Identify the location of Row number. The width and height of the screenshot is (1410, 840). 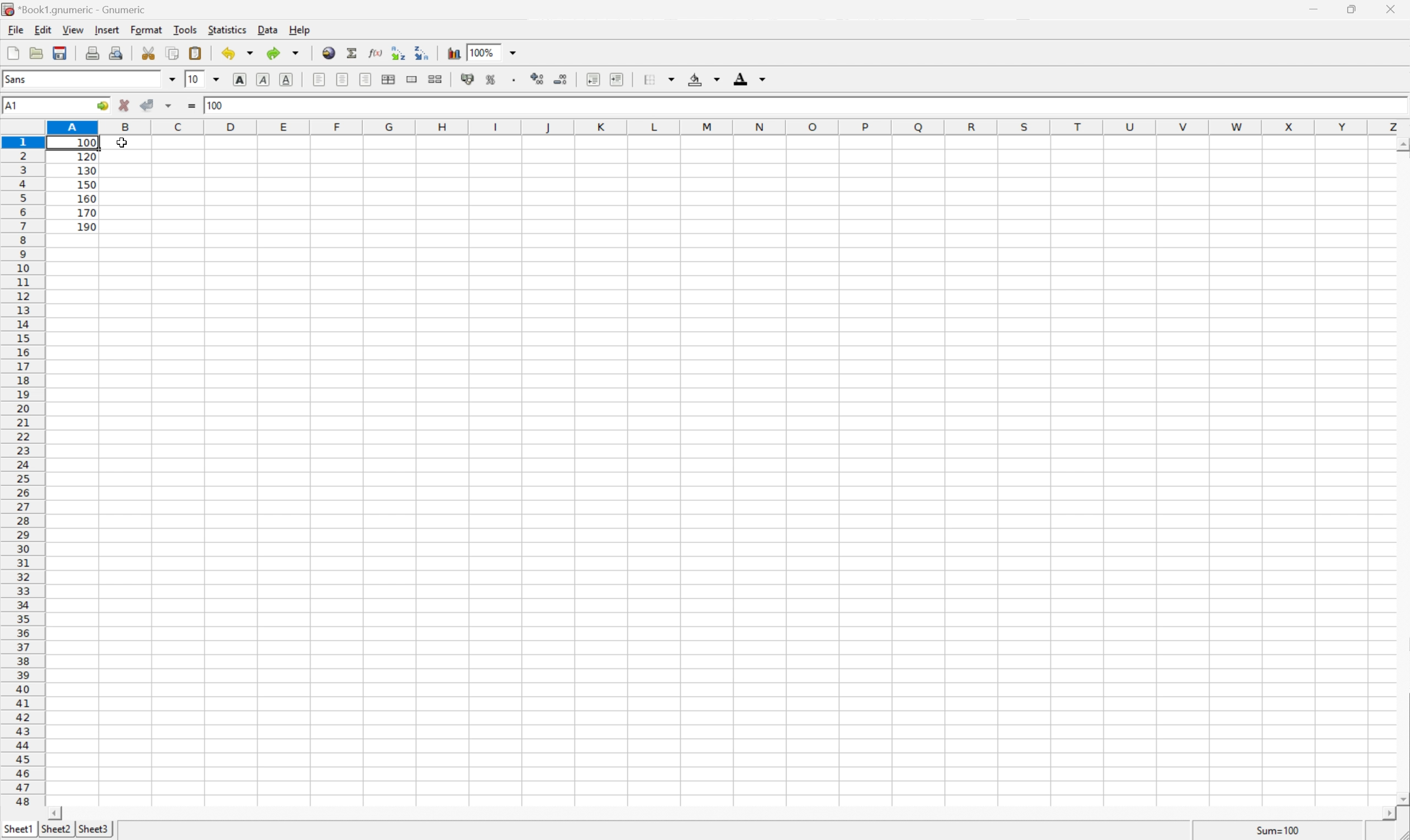
(22, 472).